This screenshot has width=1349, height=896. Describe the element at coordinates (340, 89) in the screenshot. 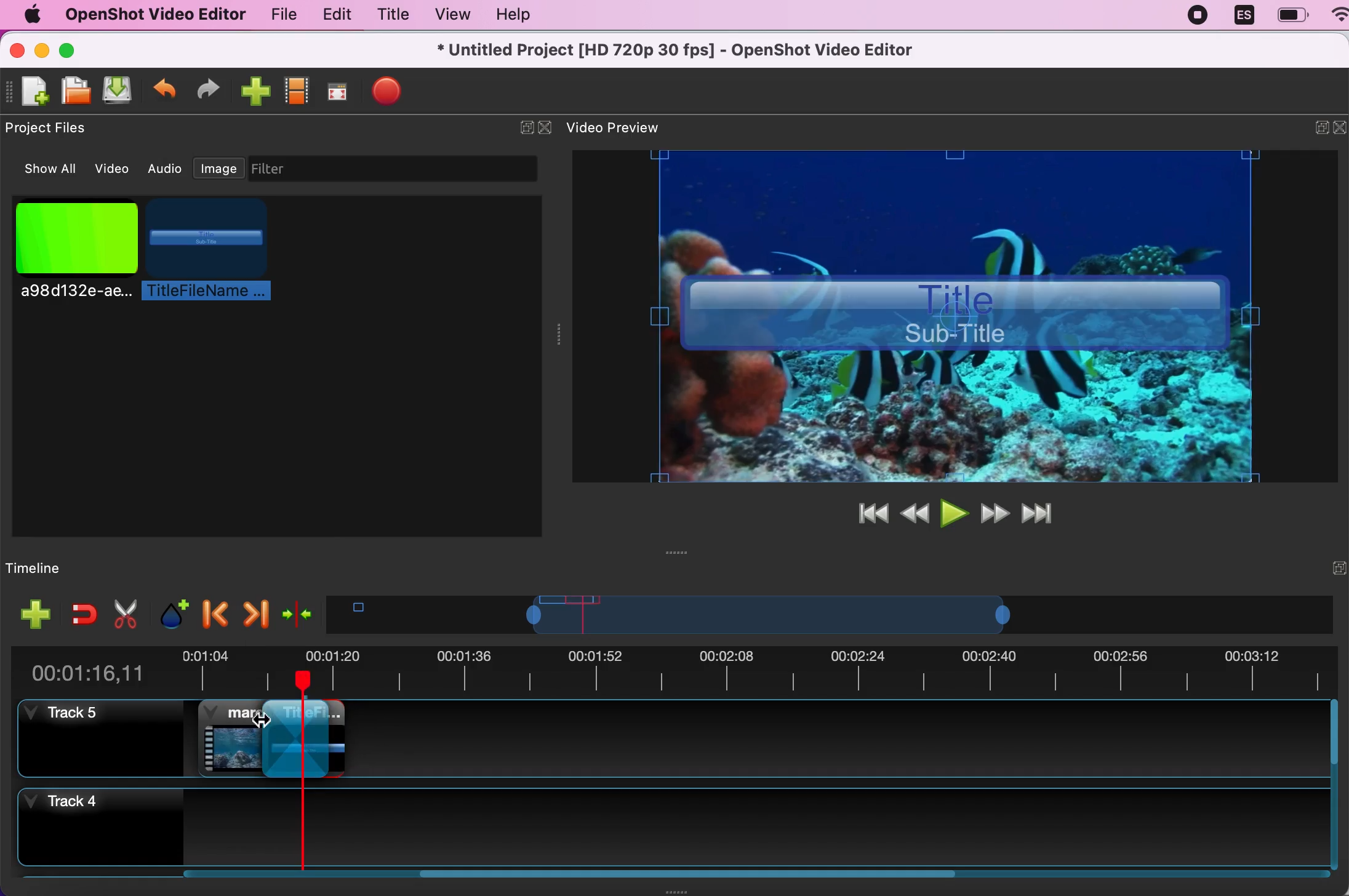

I see `full screen` at that location.